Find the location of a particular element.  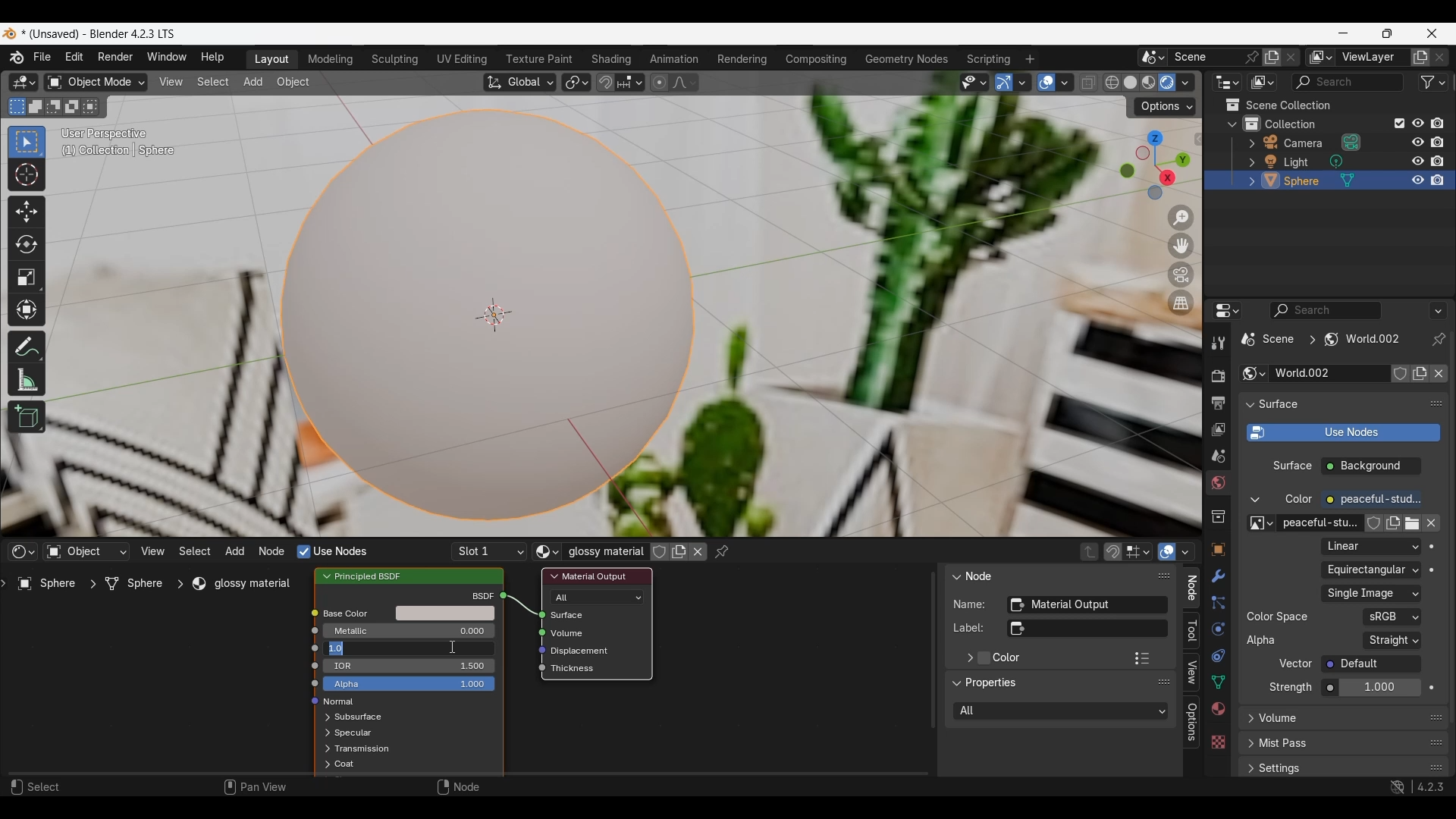

Color is located at coordinates (1007, 658).